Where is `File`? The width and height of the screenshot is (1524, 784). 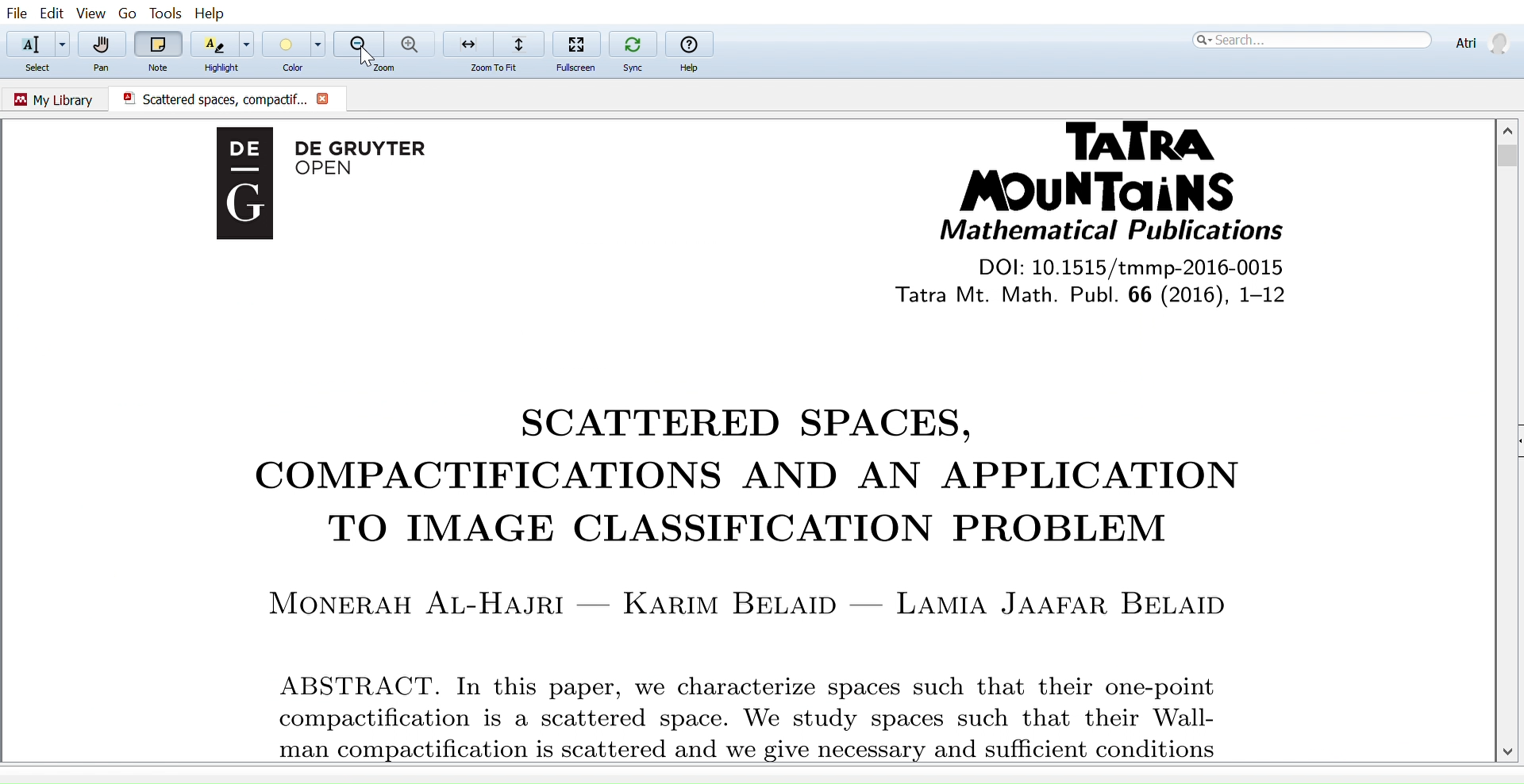 File is located at coordinates (17, 13).